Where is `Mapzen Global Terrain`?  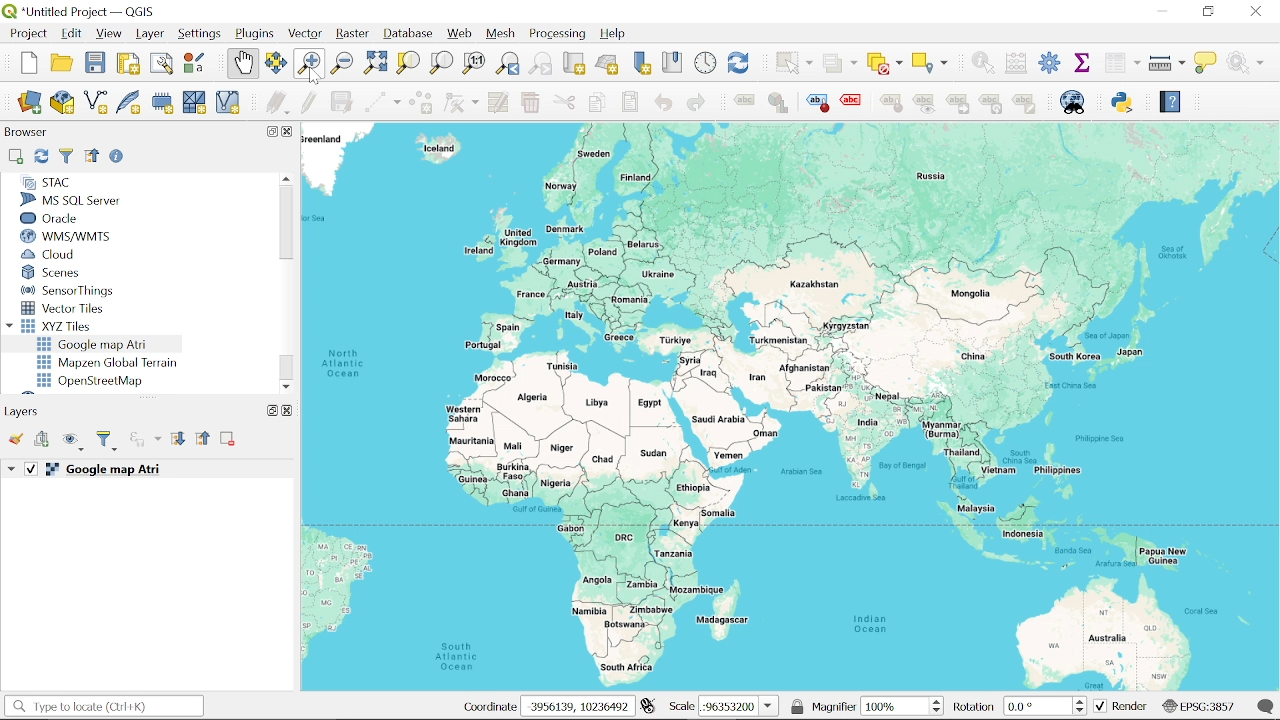
Mapzen Global Terrain is located at coordinates (107, 363).